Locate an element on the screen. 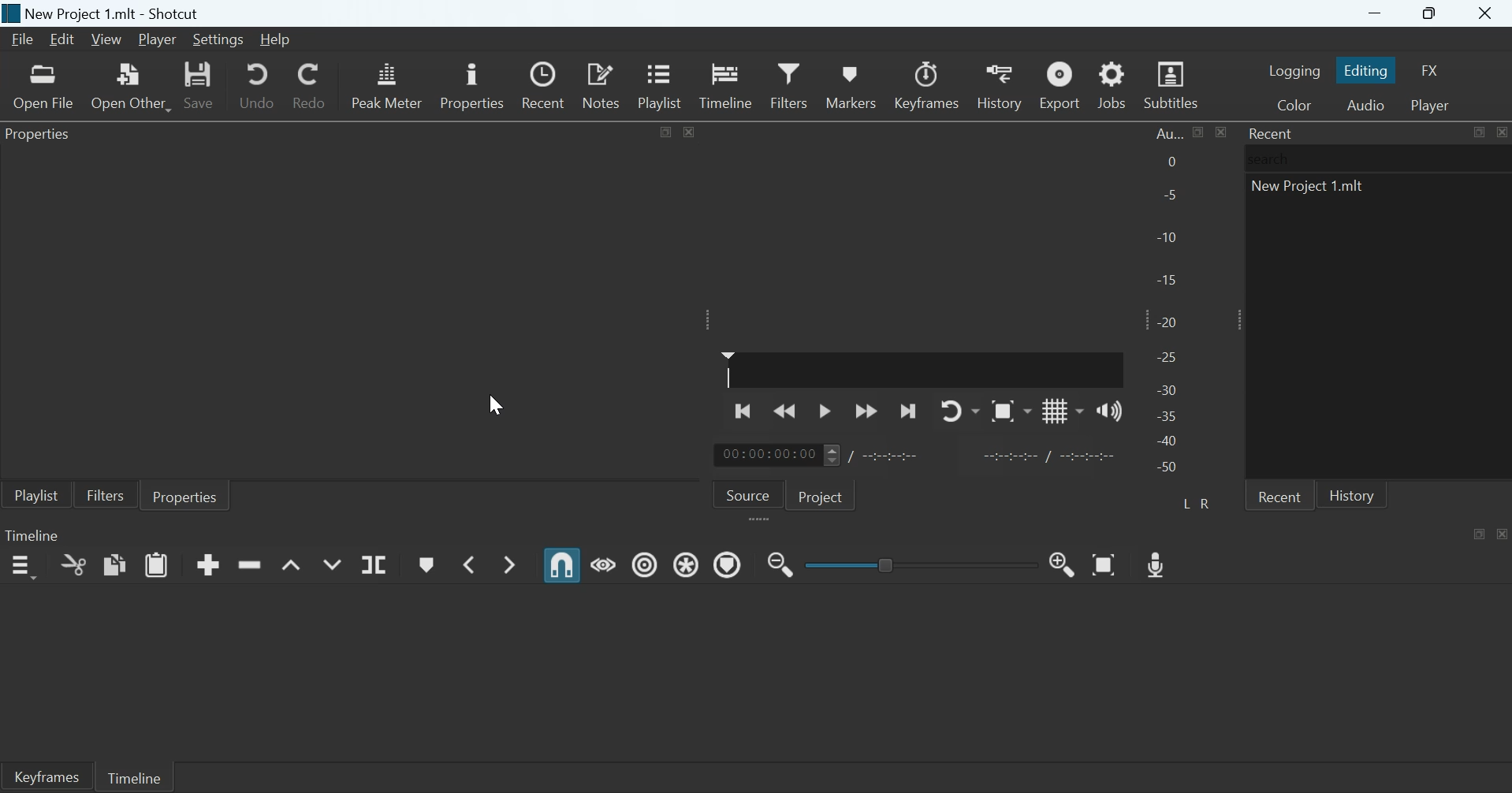 This screenshot has height=793, width=1512. File is located at coordinates (24, 39).